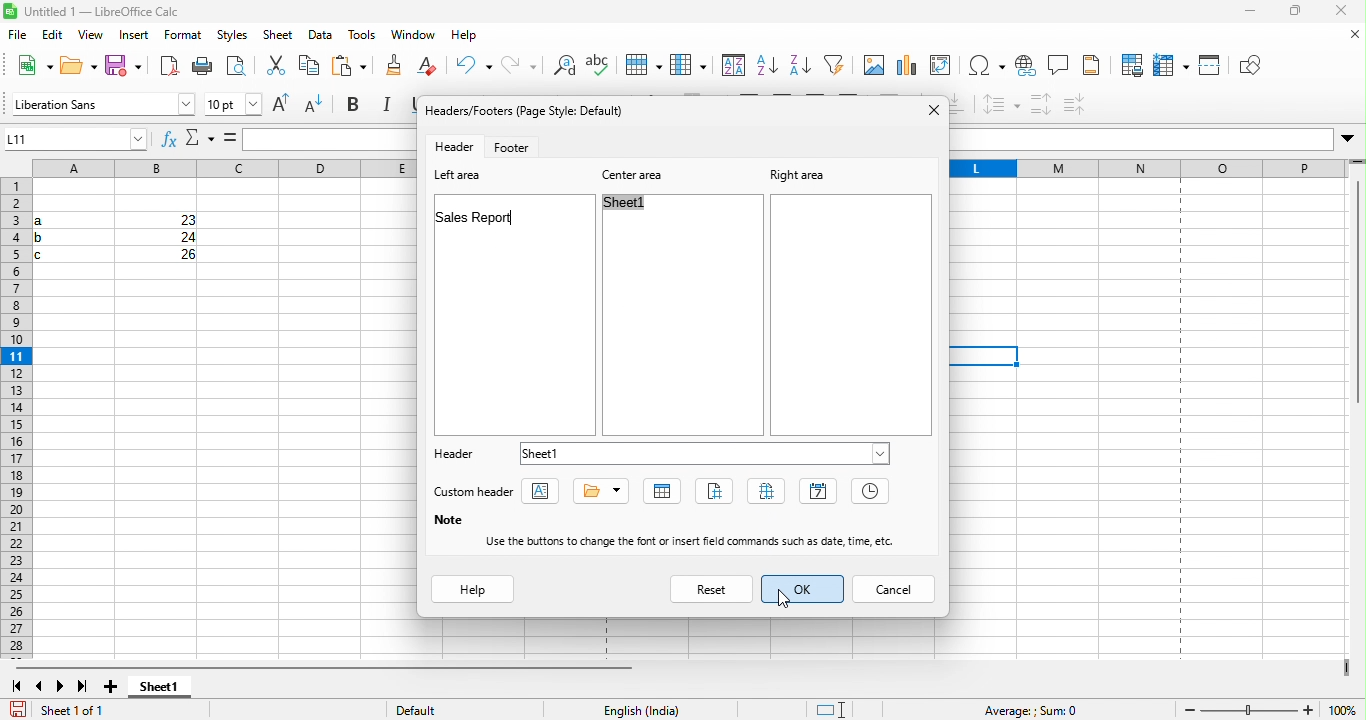 Image resolution: width=1366 pixels, height=720 pixels. I want to click on find and replace, so click(520, 67).